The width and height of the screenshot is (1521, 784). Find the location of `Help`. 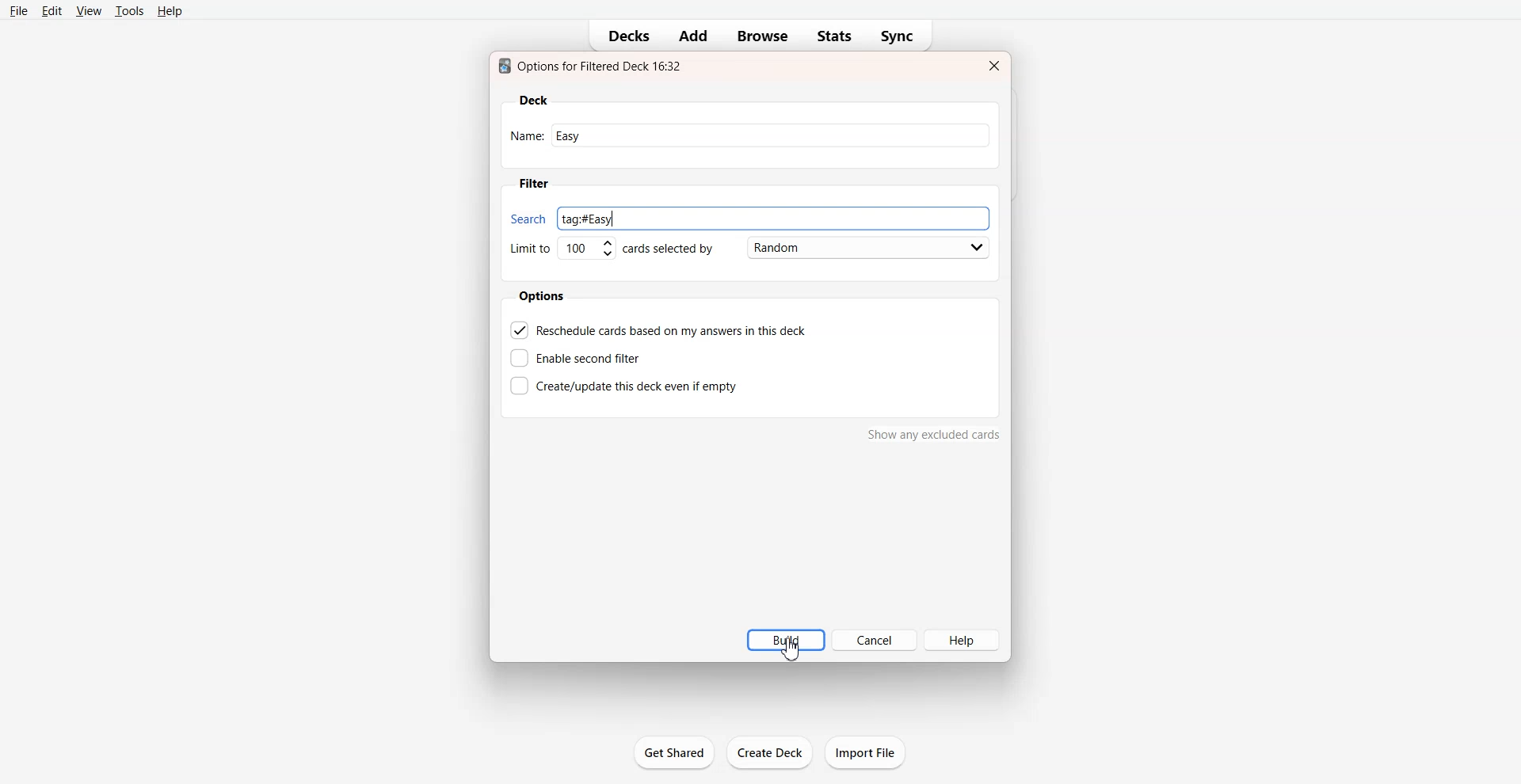

Help is located at coordinates (171, 11).